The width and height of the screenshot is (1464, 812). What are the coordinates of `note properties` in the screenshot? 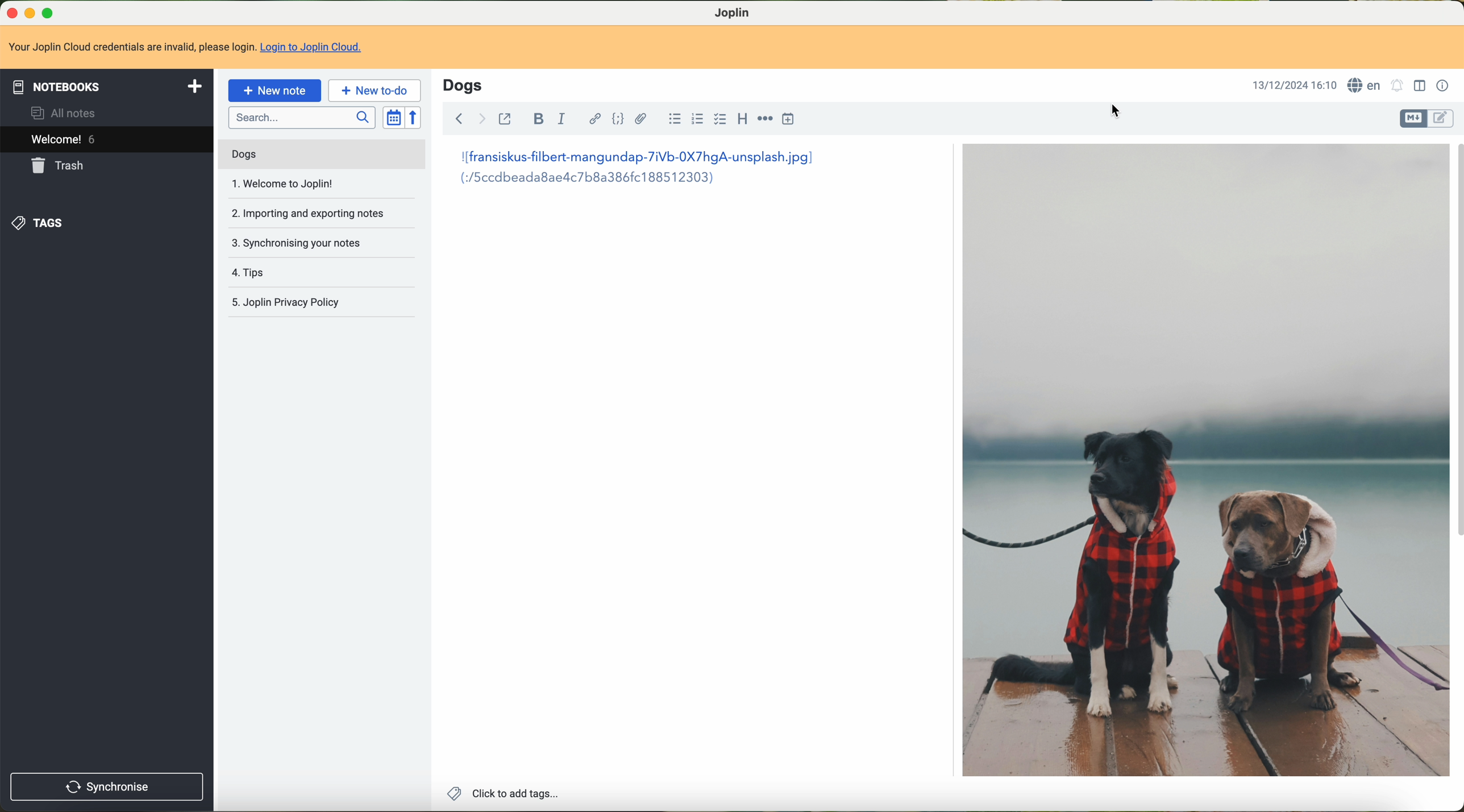 It's located at (1442, 85).